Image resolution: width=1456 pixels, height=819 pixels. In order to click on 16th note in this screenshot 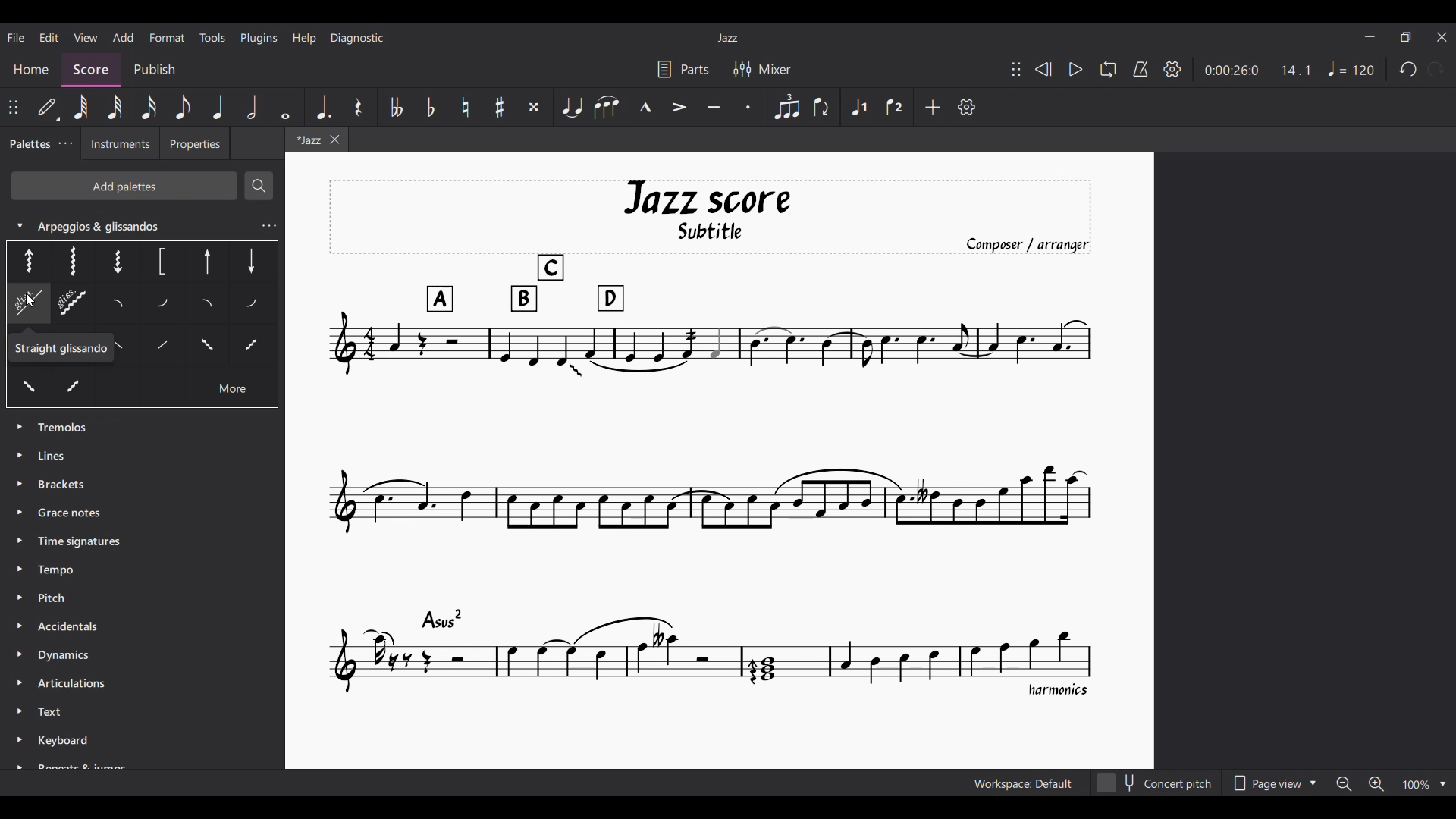, I will do `click(148, 107)`.